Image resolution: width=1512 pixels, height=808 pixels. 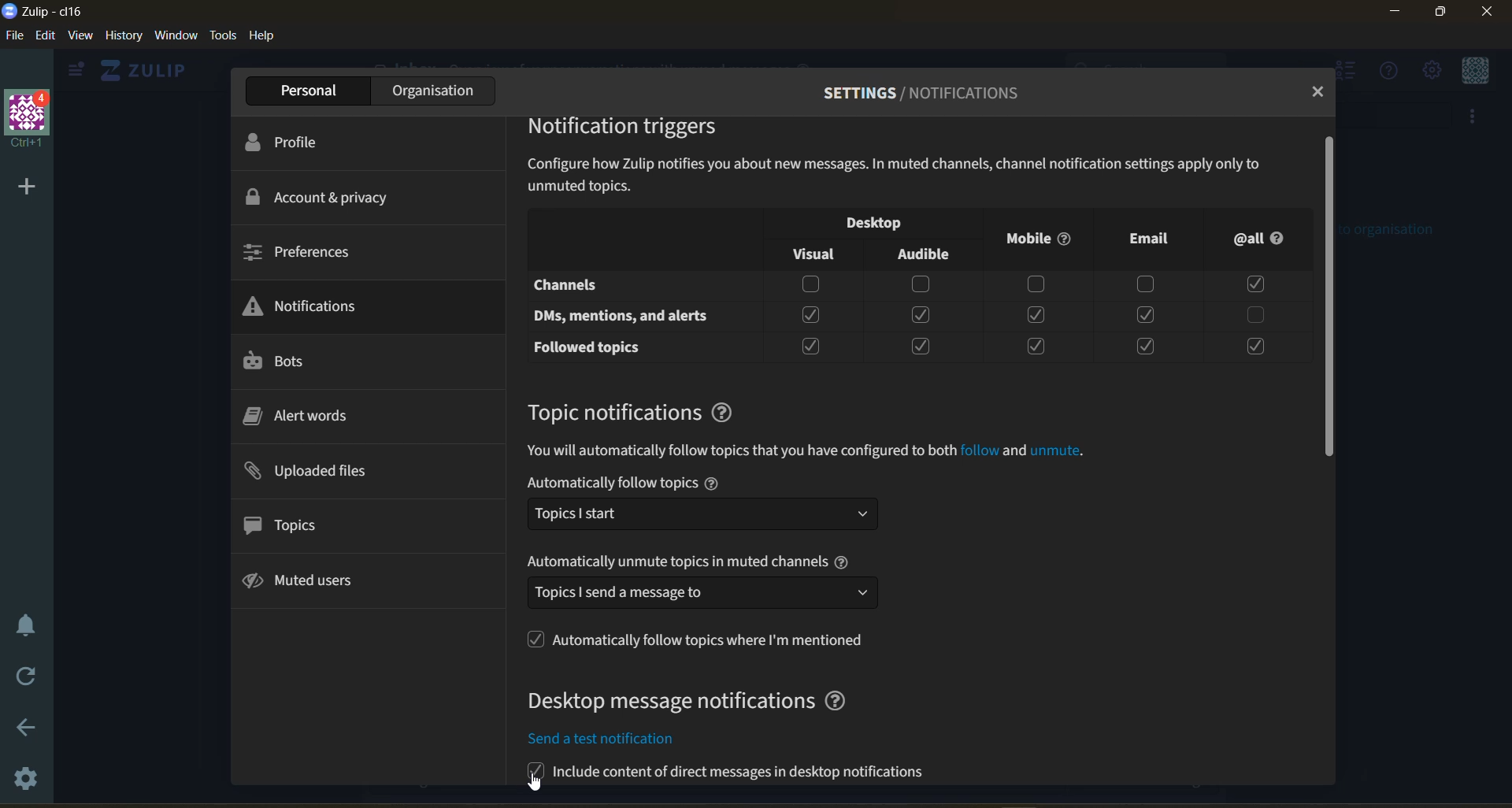 I want to click on Checkbox, so click(x=1259, y=284).